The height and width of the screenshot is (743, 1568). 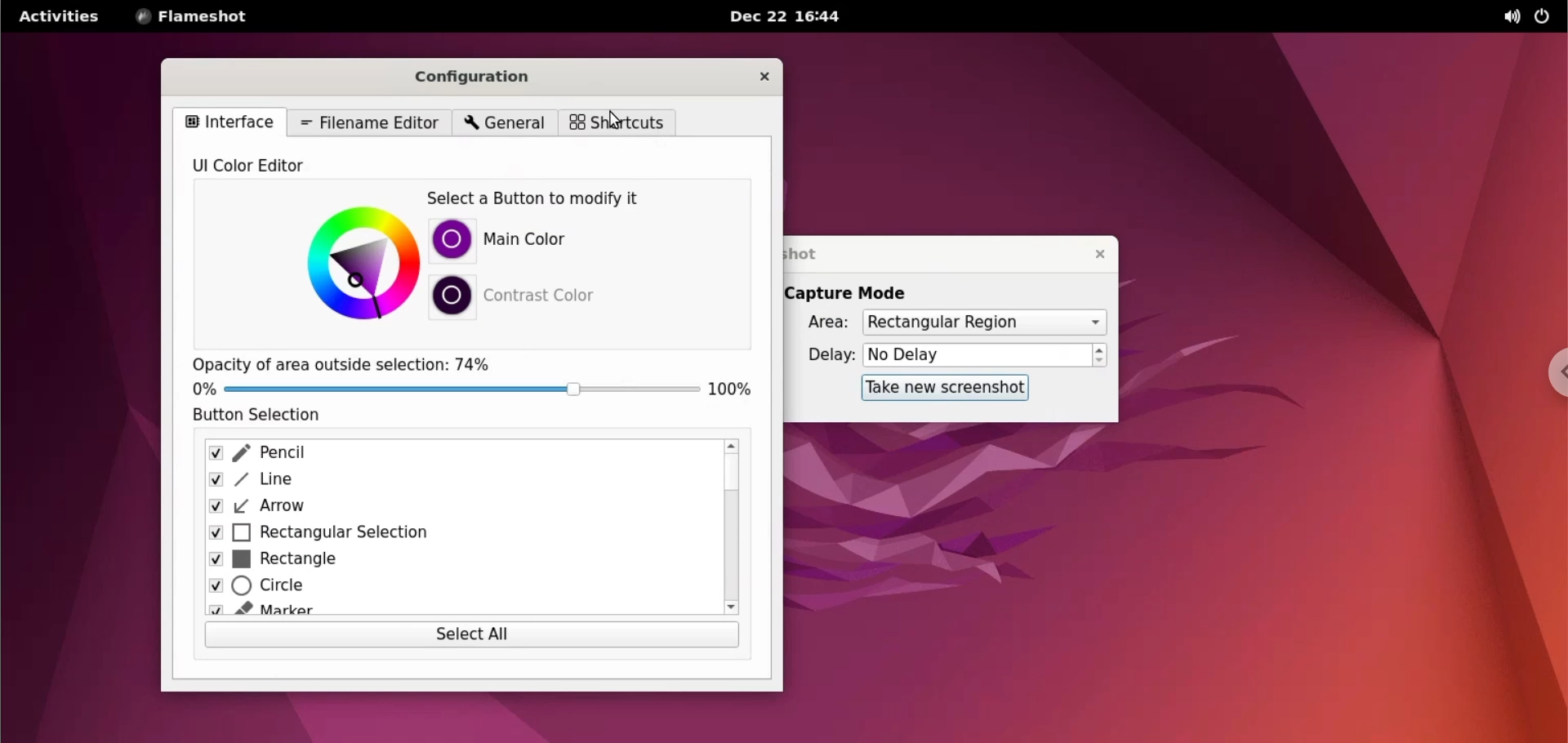 What do you see at coordinates (354, 365) in the screenshot?
I see `opacity of area outside selection: 74%` at bounding box center [354, 365].